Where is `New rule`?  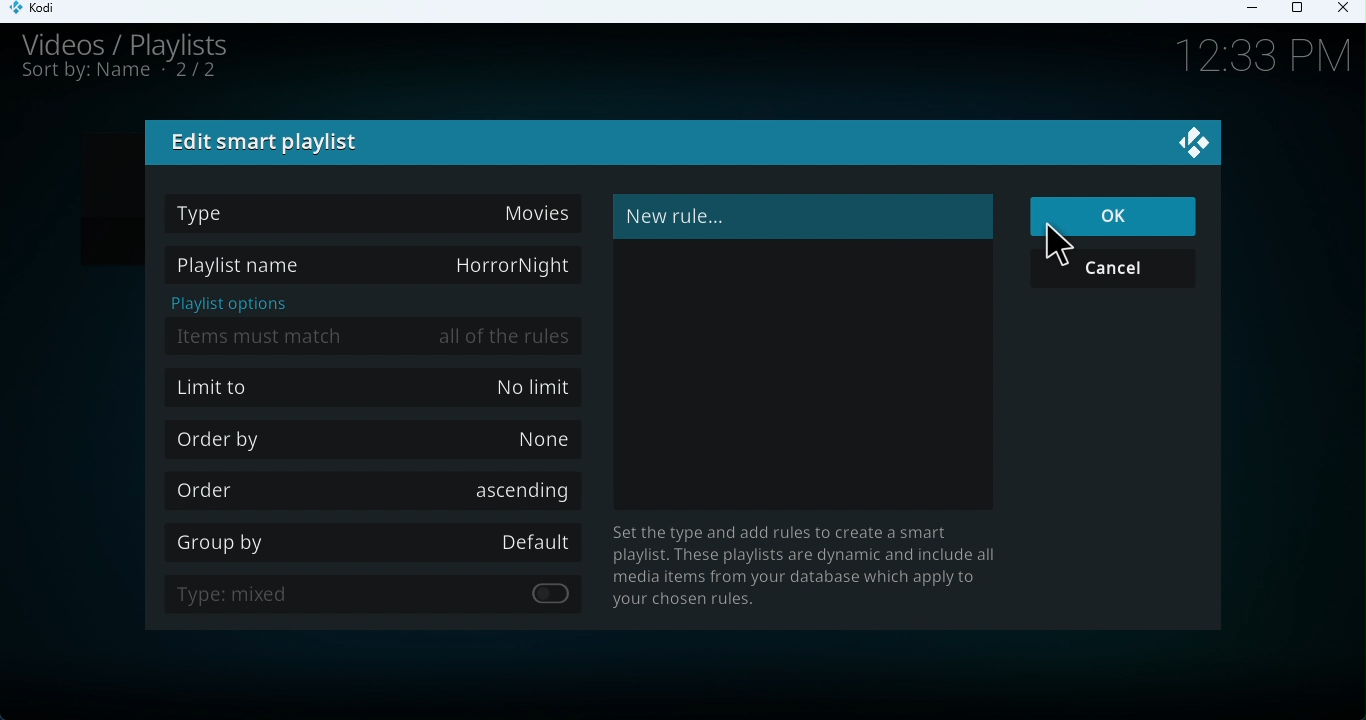 New rule is located at coordinates (800, 216).